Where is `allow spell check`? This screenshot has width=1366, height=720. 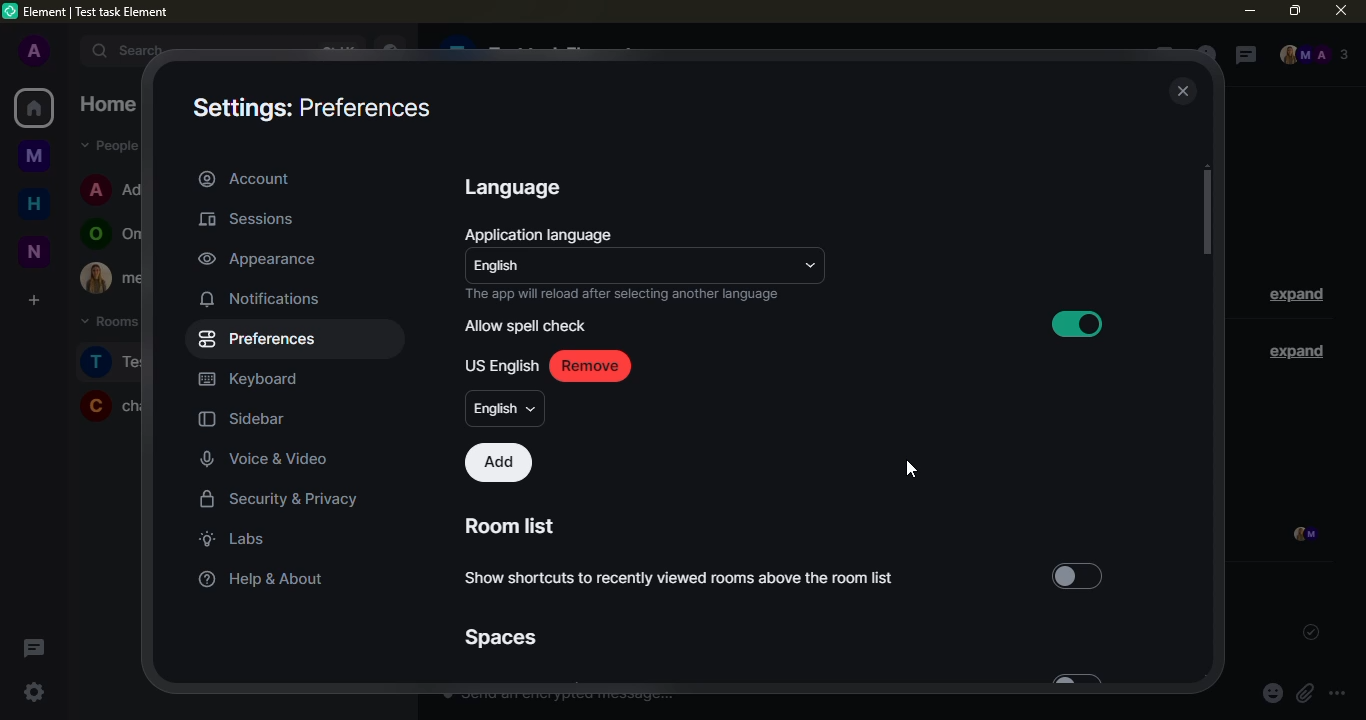
allow spell check is located at coordinates (527, 325).